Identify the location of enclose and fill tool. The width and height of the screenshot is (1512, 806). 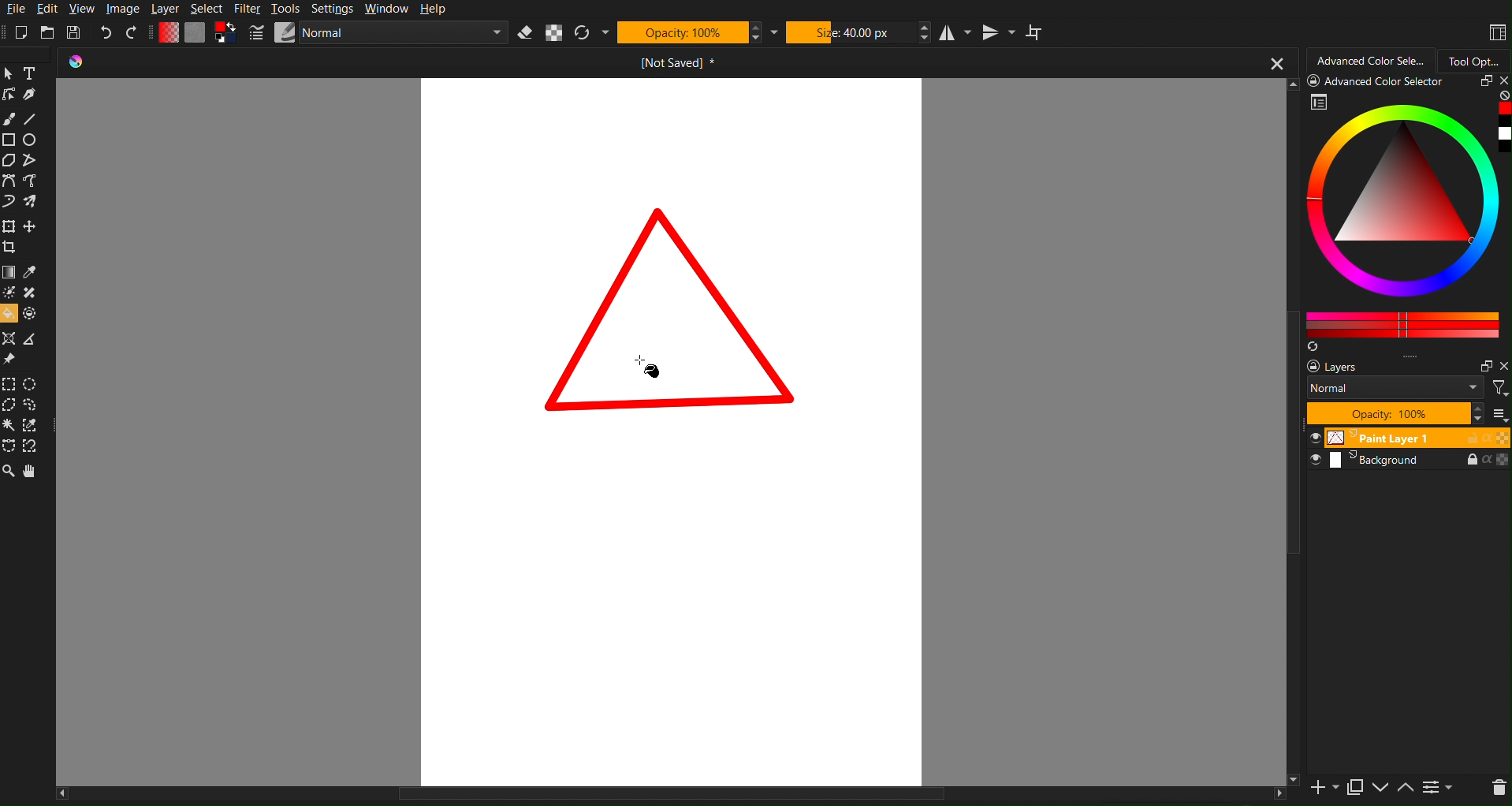
(32, 312).